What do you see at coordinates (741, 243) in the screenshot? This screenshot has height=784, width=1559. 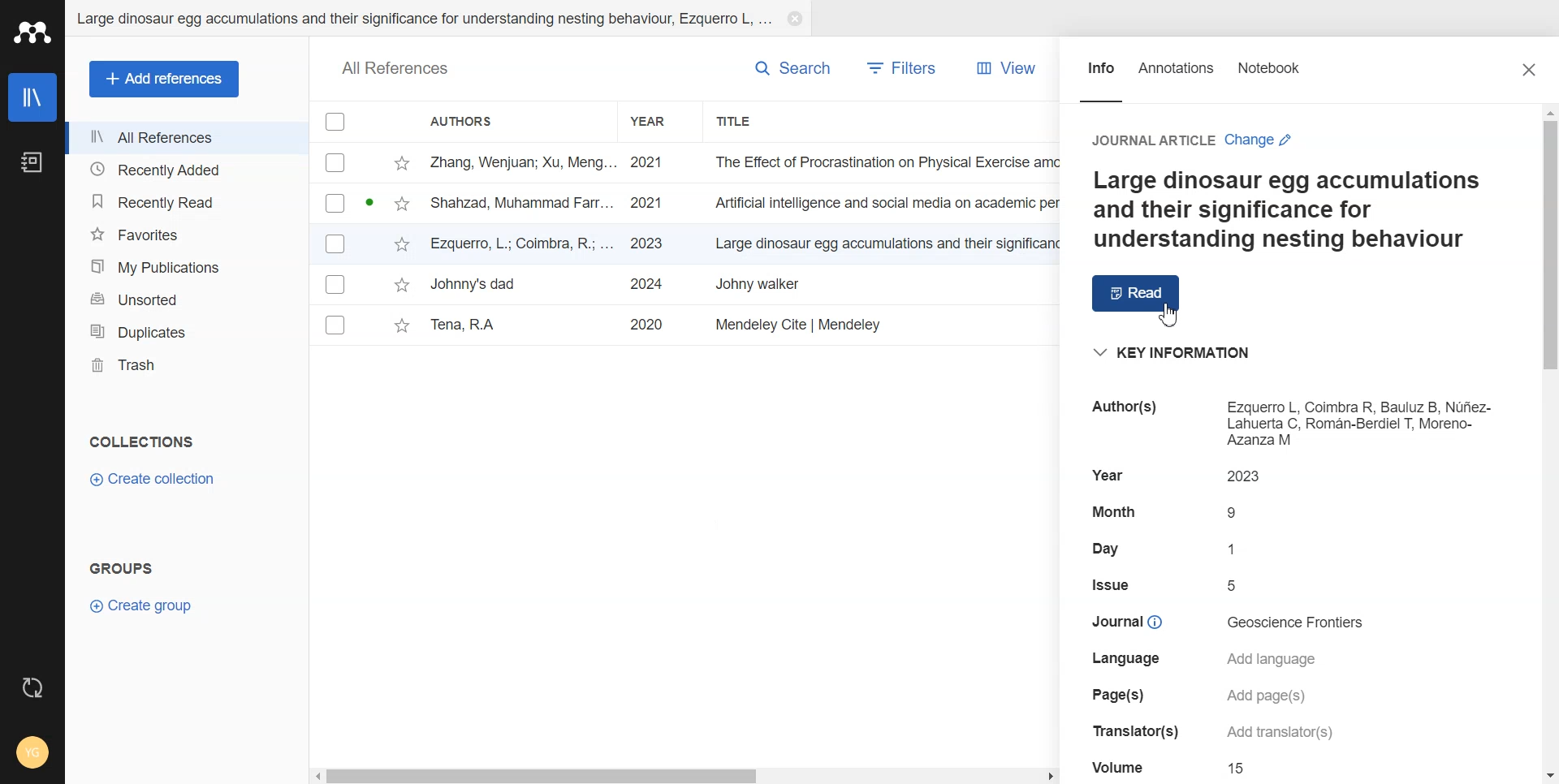 I see `File` at bounding box center [741, 243].